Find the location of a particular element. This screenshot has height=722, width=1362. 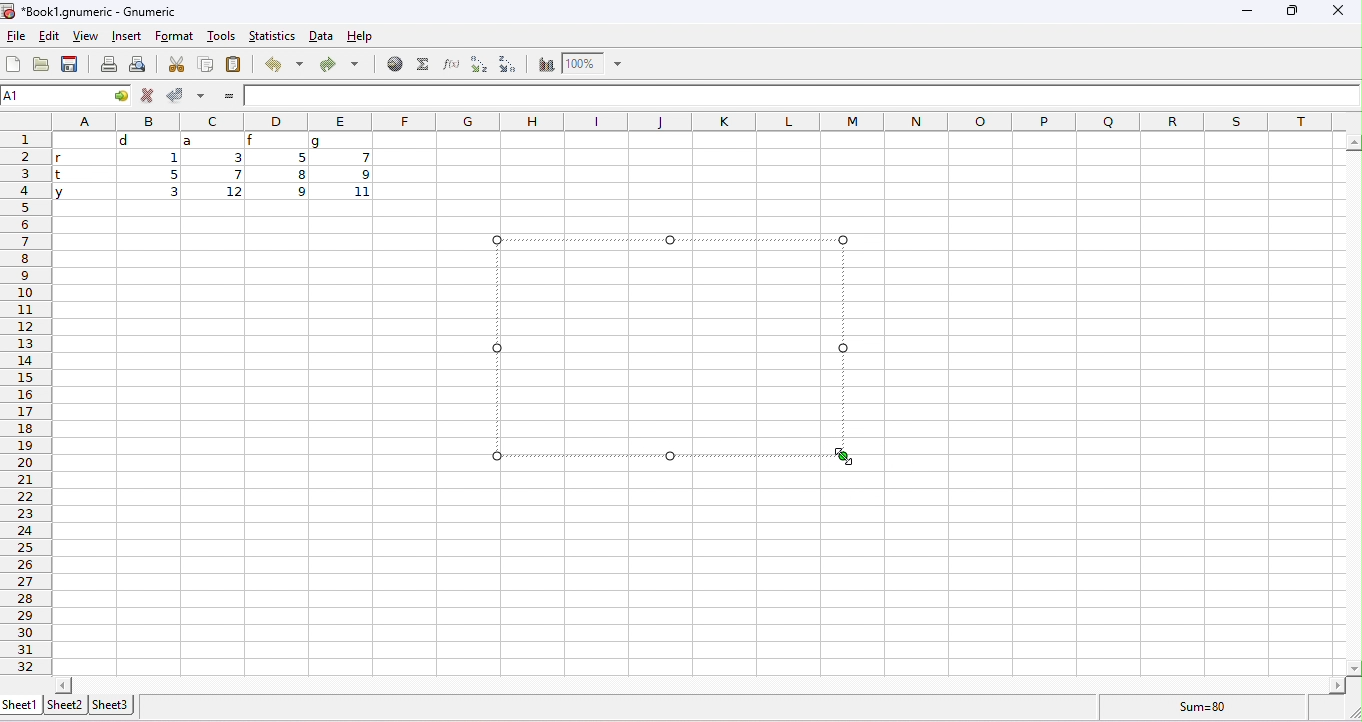

horizontal slider is located at coordinates (699, 685).